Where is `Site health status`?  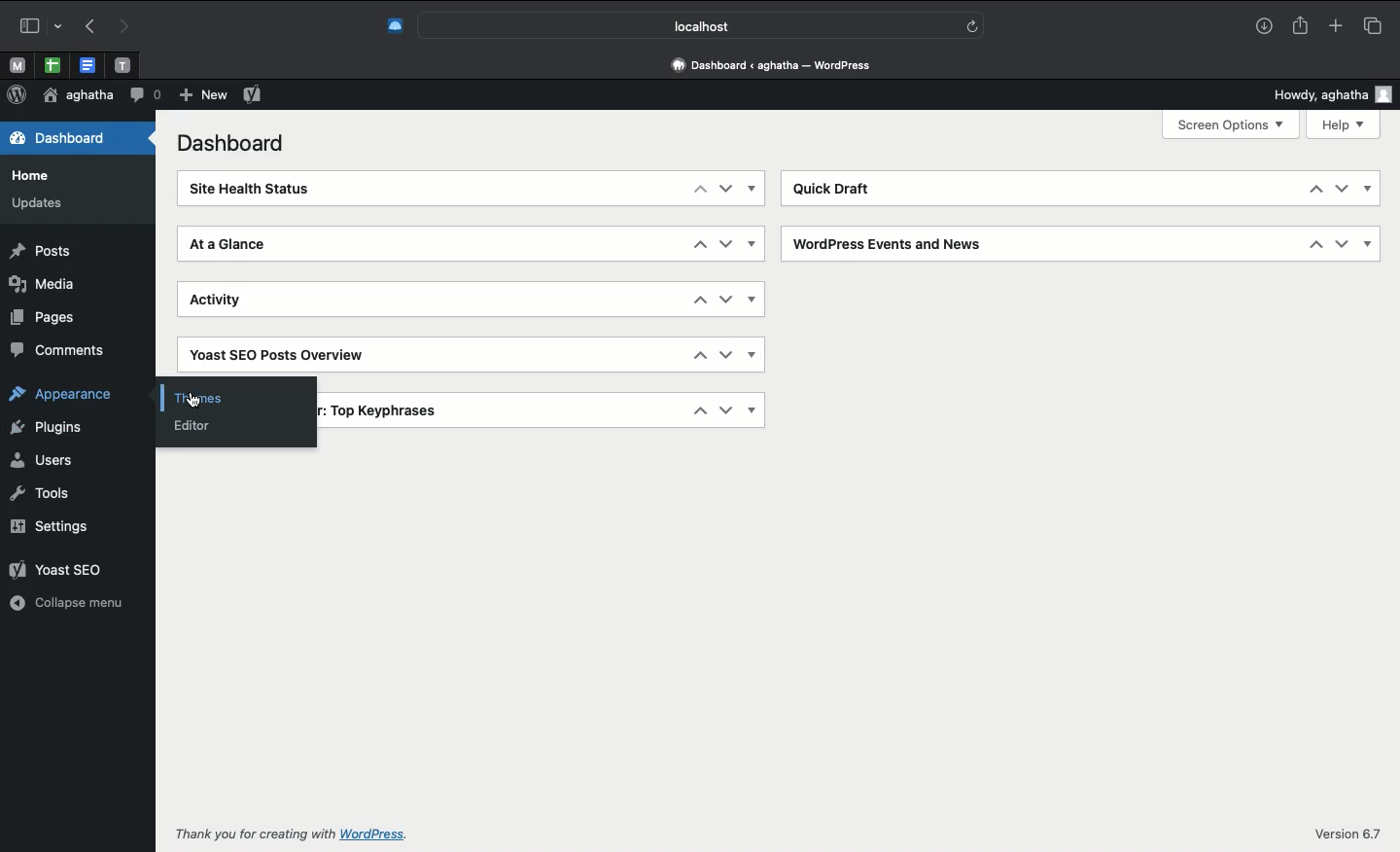 Site health status is located at coordinates (262, 190).